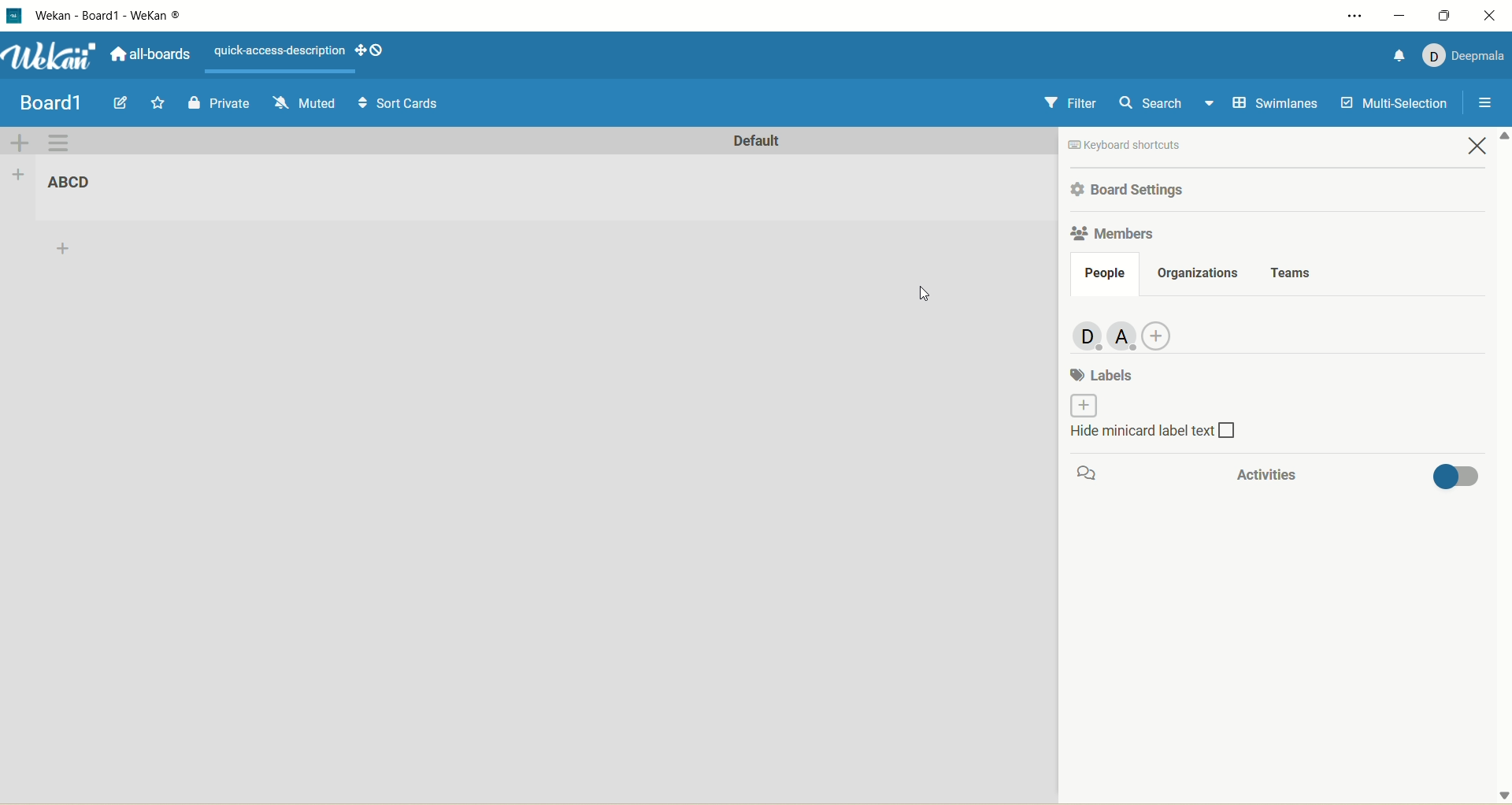 Image resolution: width=1512 pixels, height=805 pixels. Describe the element at coordinates (1272, 106) in the screenshot. I see `swimlanes` at that location.